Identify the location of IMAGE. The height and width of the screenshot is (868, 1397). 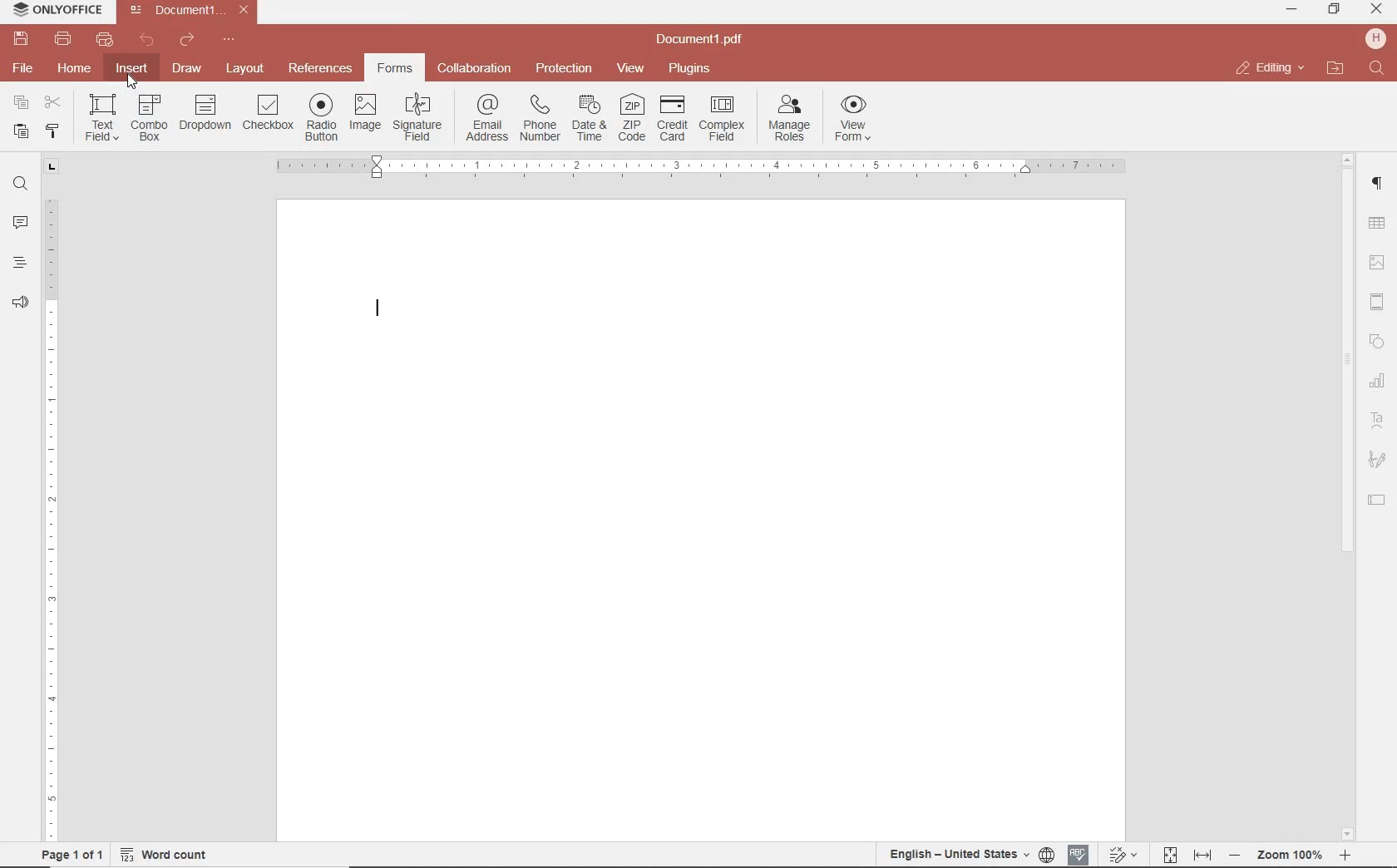
(1378, 264).